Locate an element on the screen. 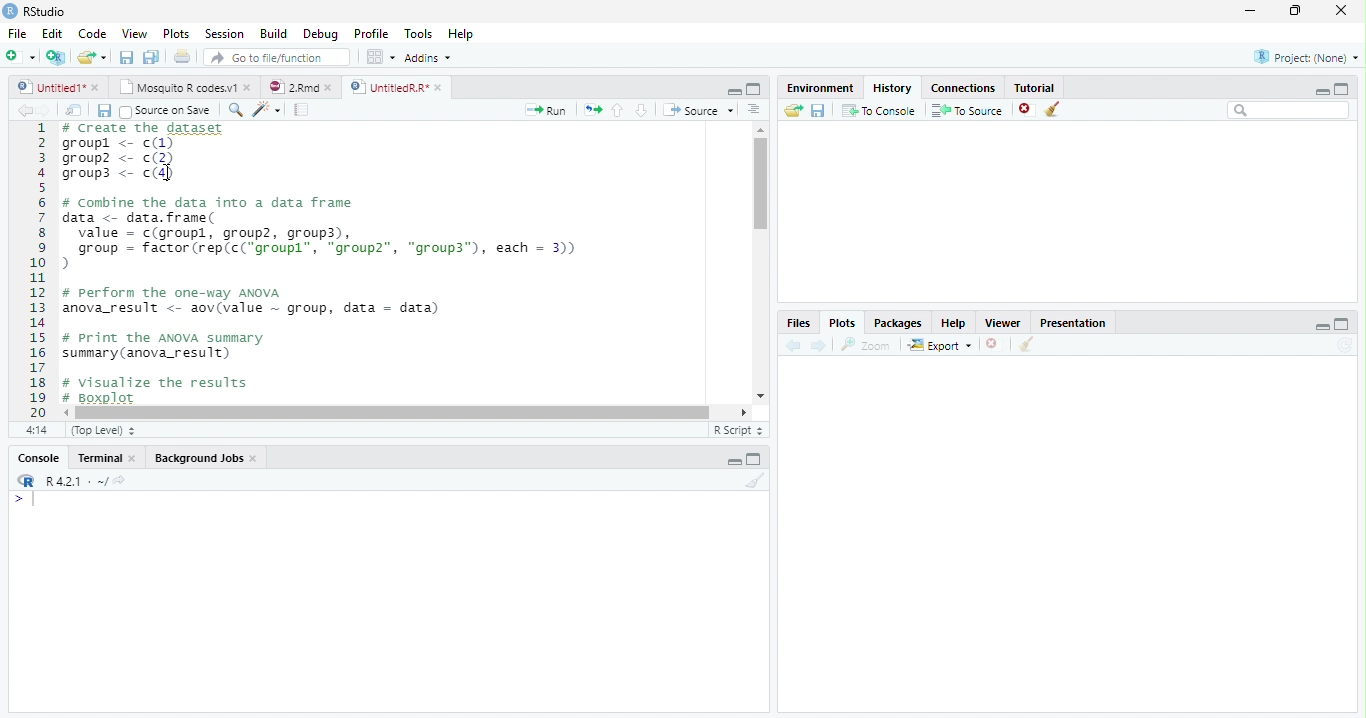  Untitled R* is located at coordinates (396, 87).